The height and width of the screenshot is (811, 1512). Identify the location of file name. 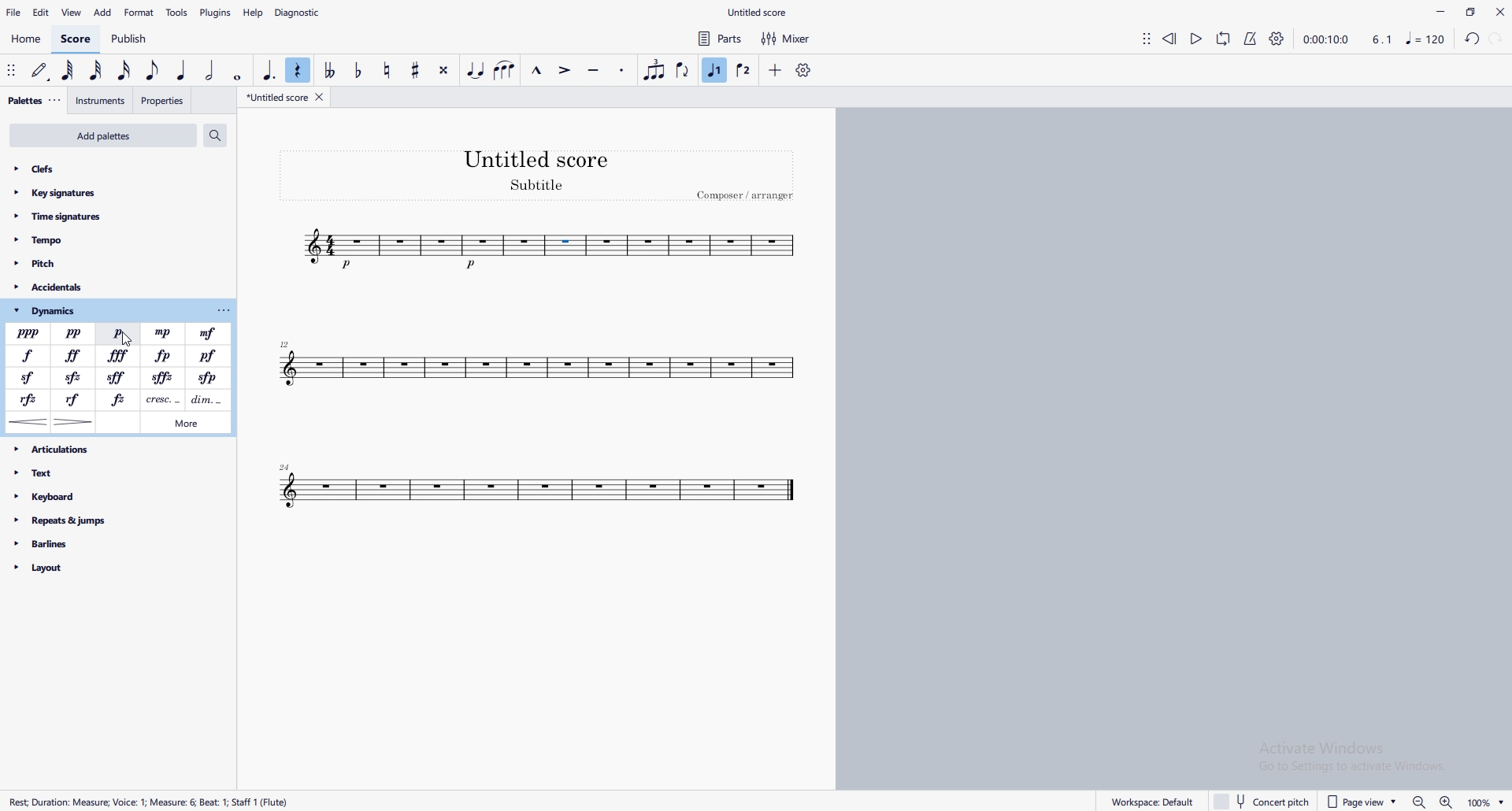
(758, 12).